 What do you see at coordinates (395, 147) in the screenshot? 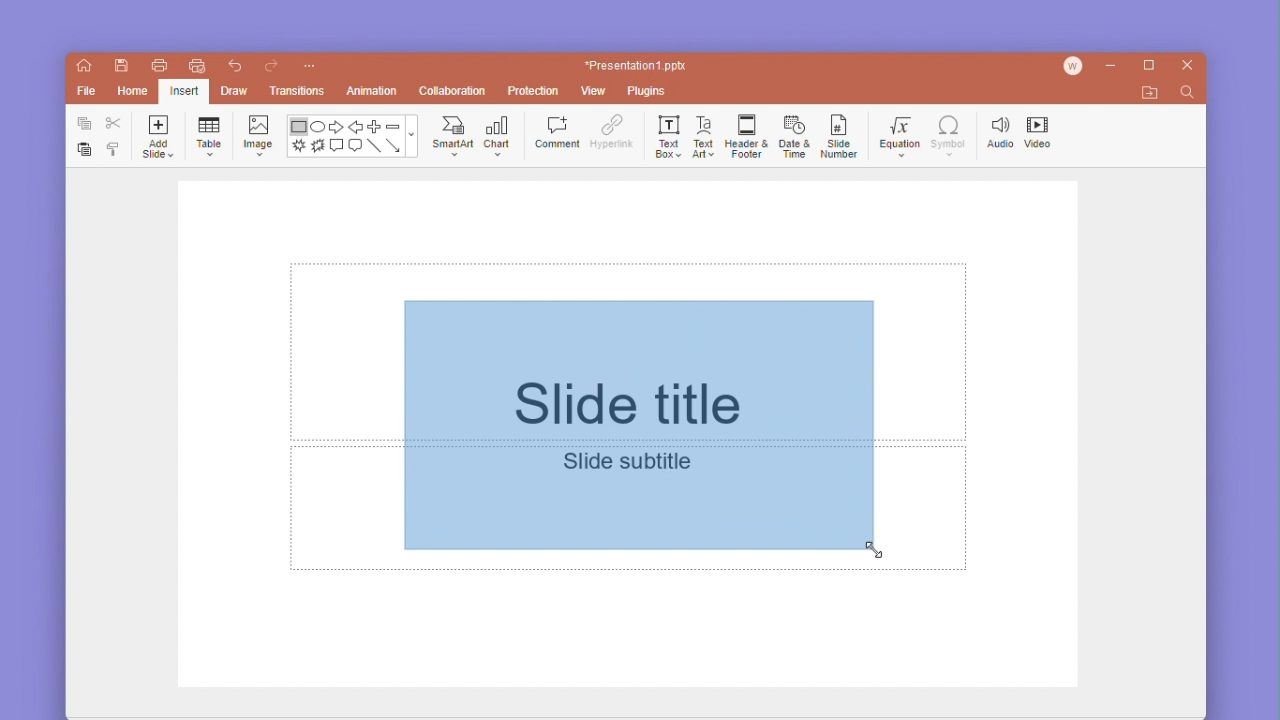
I see `arrow line` at bounding box center [395, 147].